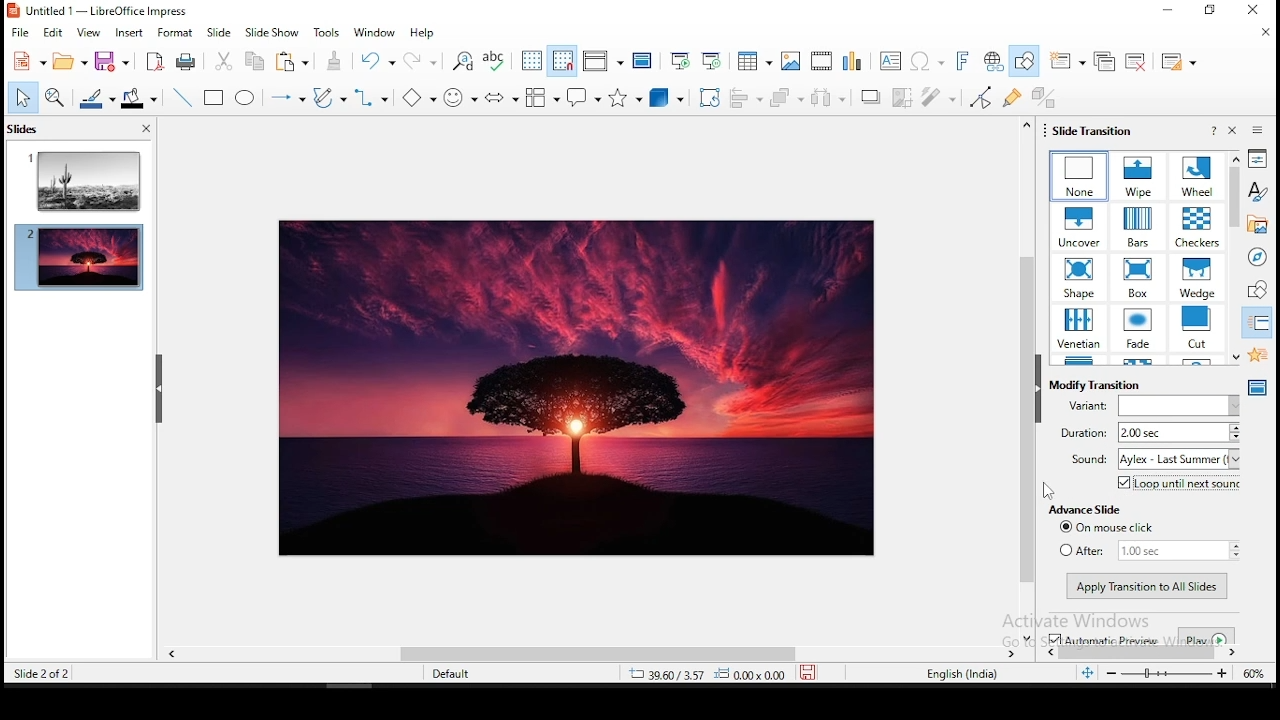 This screenshot has width=1280, height=720. I want to click on transition effects, so click(1196, 226).